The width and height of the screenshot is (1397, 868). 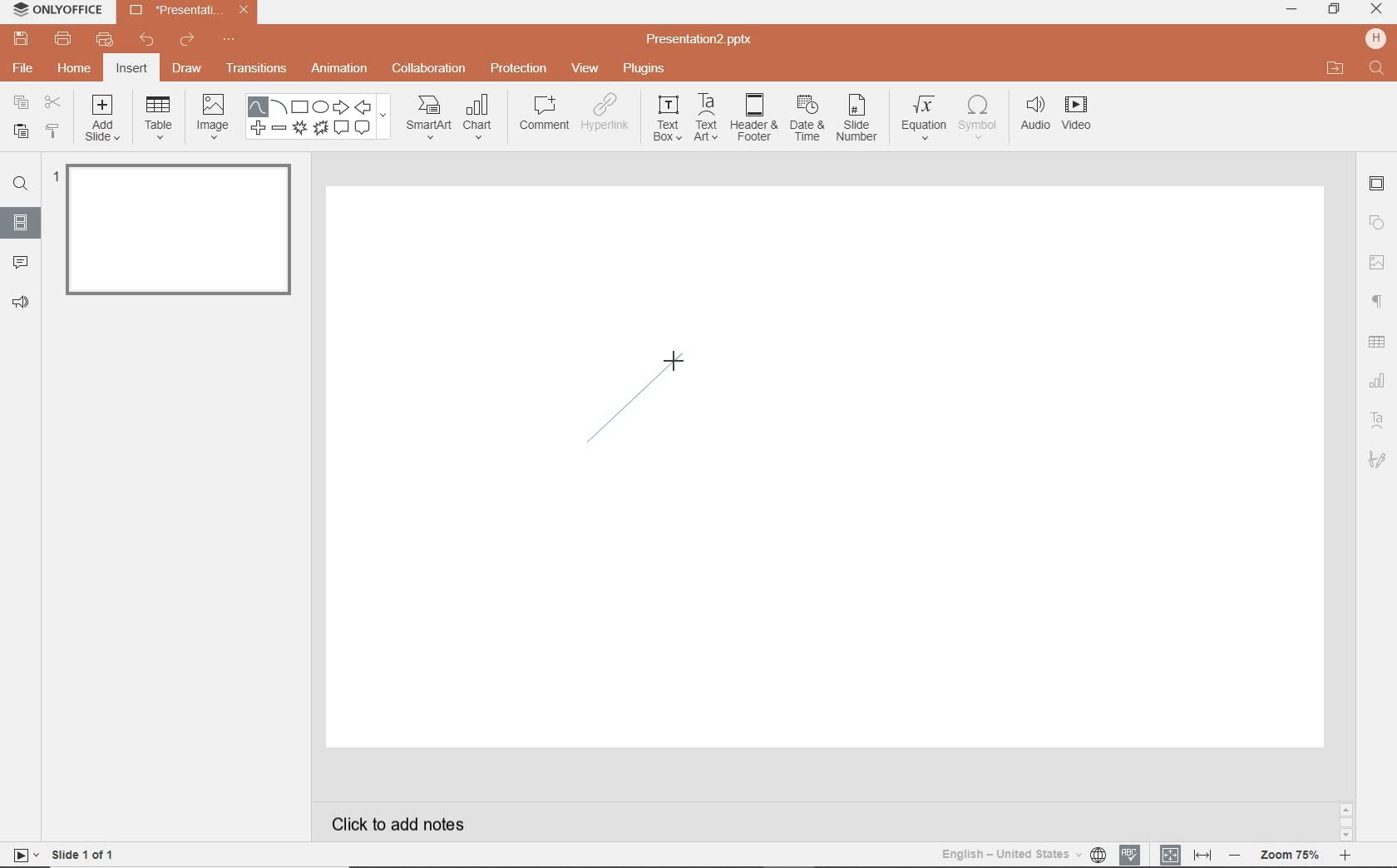 What do you see at coordinates (1345, 820) in the screenshot?
I see `SCROLLBAR` at bounding box center [1345, 820].